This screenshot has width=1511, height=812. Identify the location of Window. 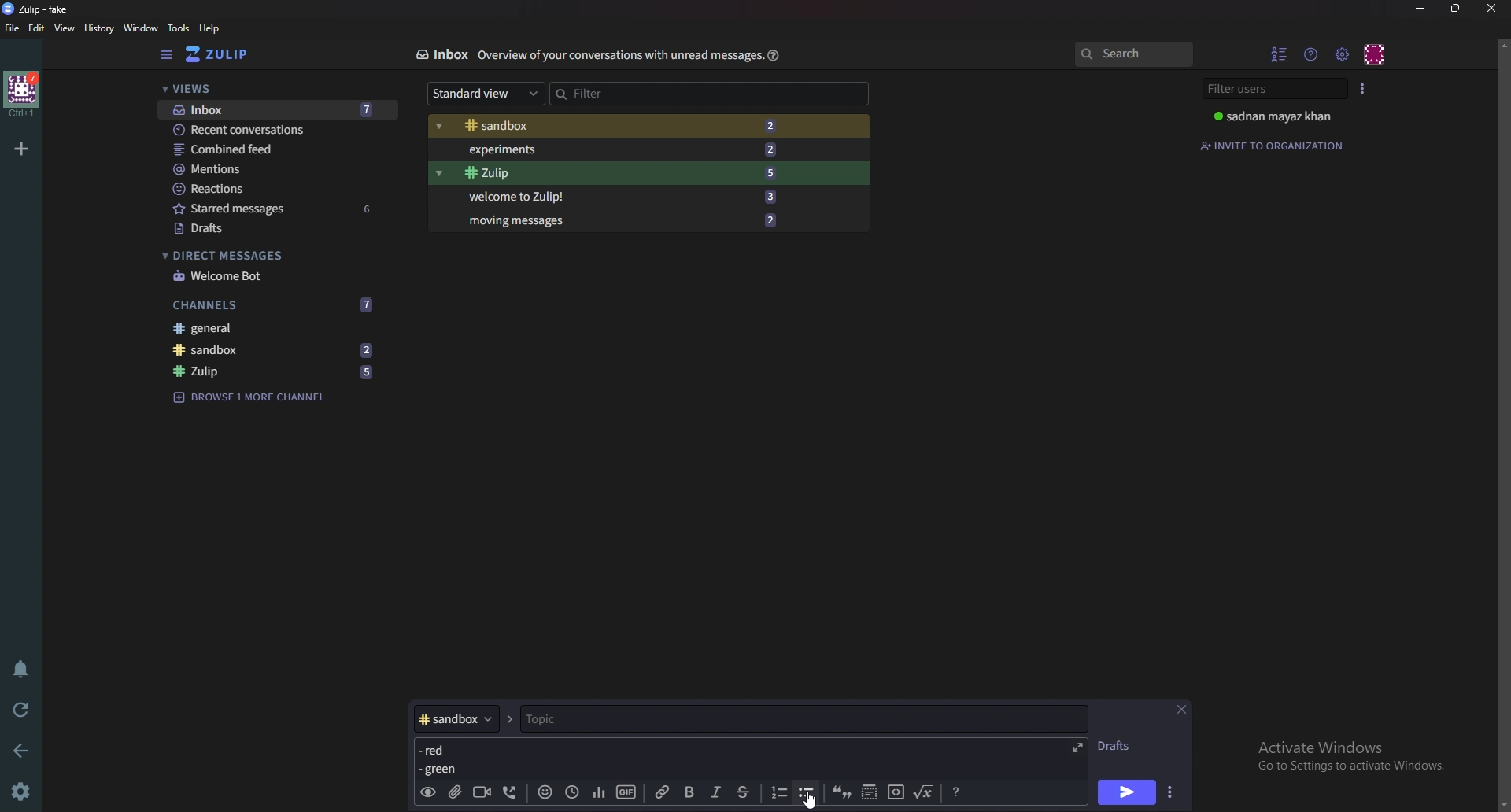
(143, 28).